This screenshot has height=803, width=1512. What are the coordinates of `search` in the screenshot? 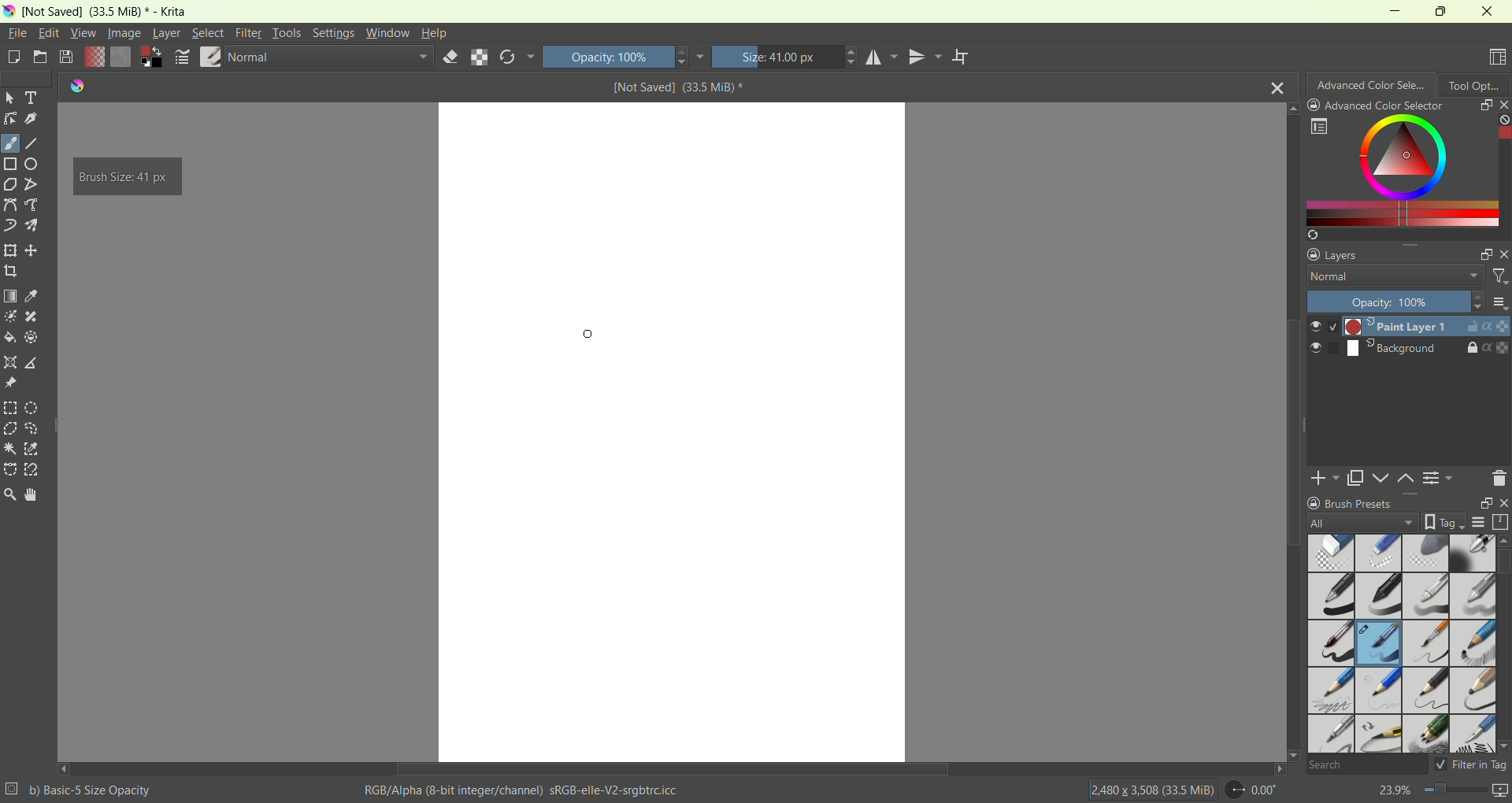 It's located at (1366, 766).